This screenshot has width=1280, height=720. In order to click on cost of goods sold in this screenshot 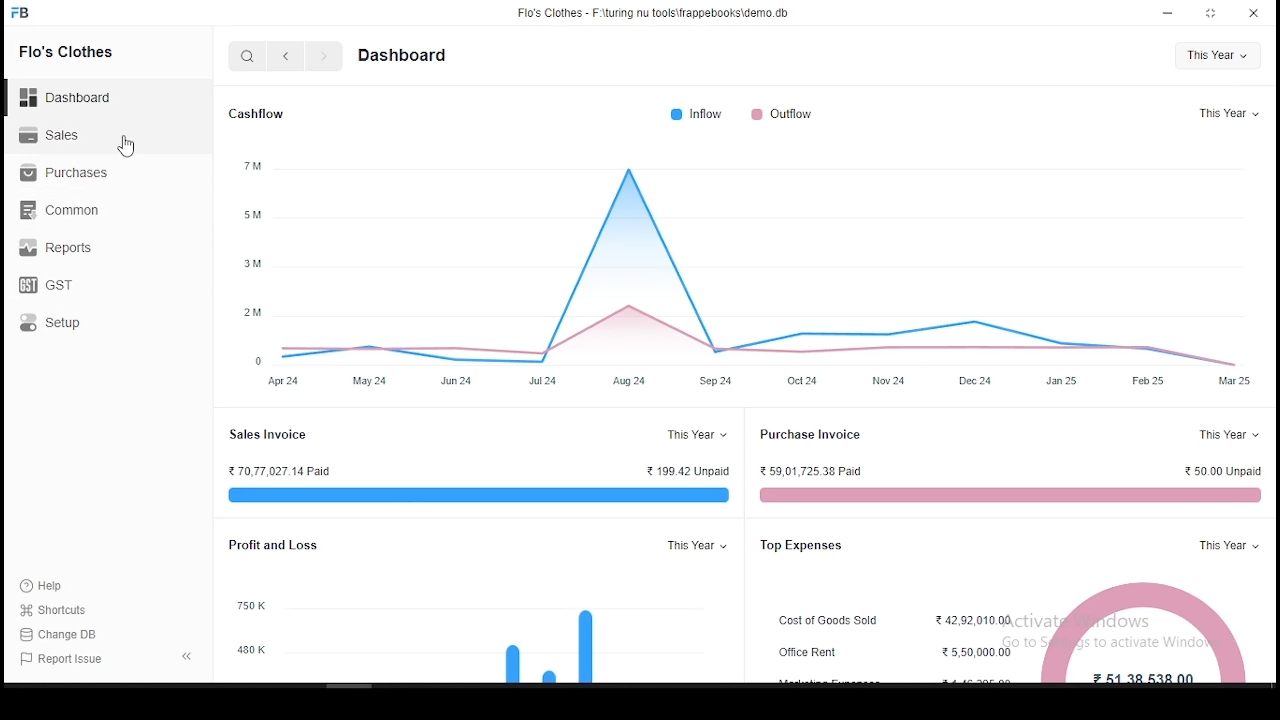, I will do `click(835, 622)`.